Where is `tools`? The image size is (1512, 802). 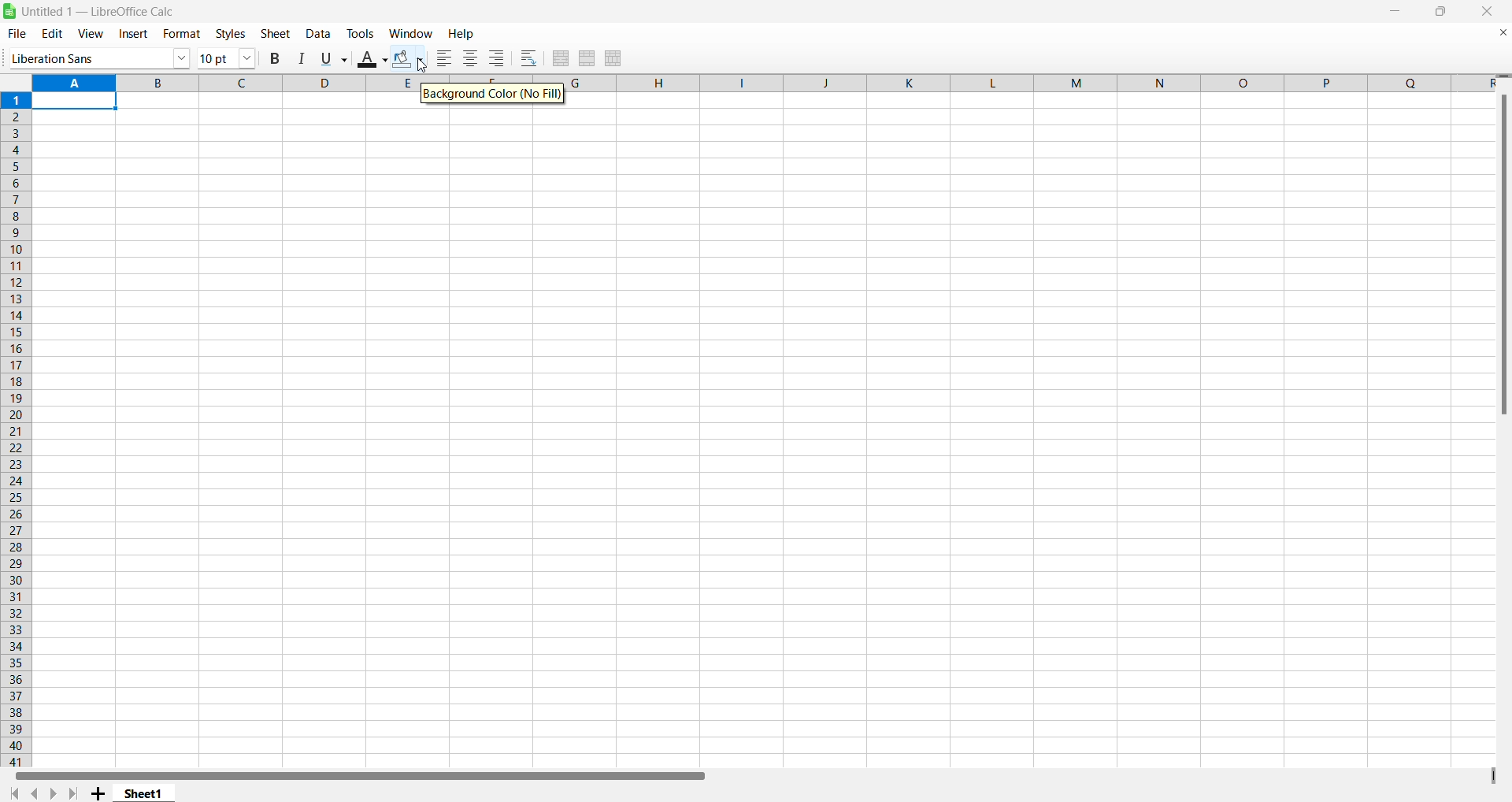
tools is located at coordinates (360, 34).